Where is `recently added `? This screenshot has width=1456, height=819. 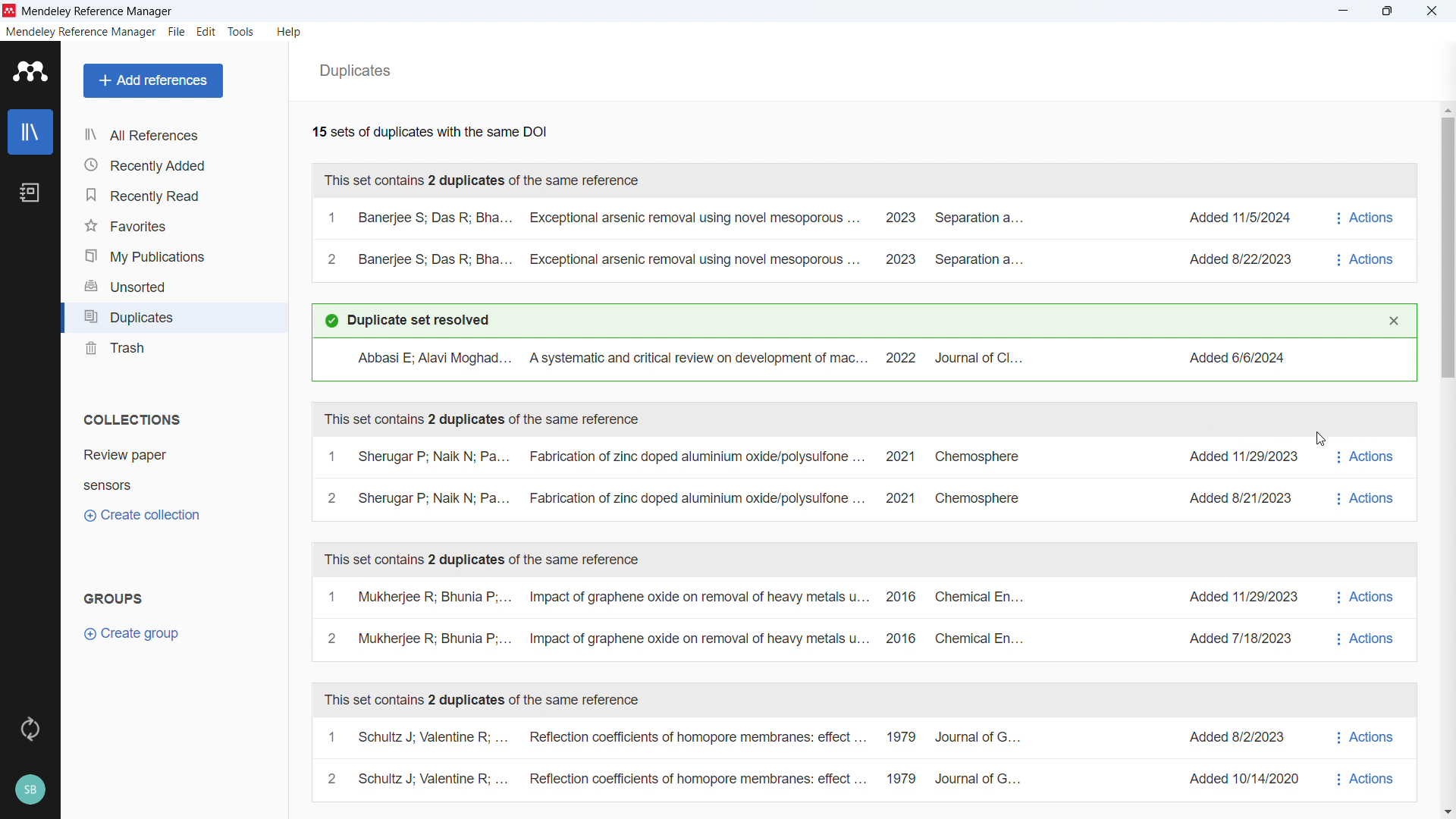
recently added  is located at coordinates (172, 165).